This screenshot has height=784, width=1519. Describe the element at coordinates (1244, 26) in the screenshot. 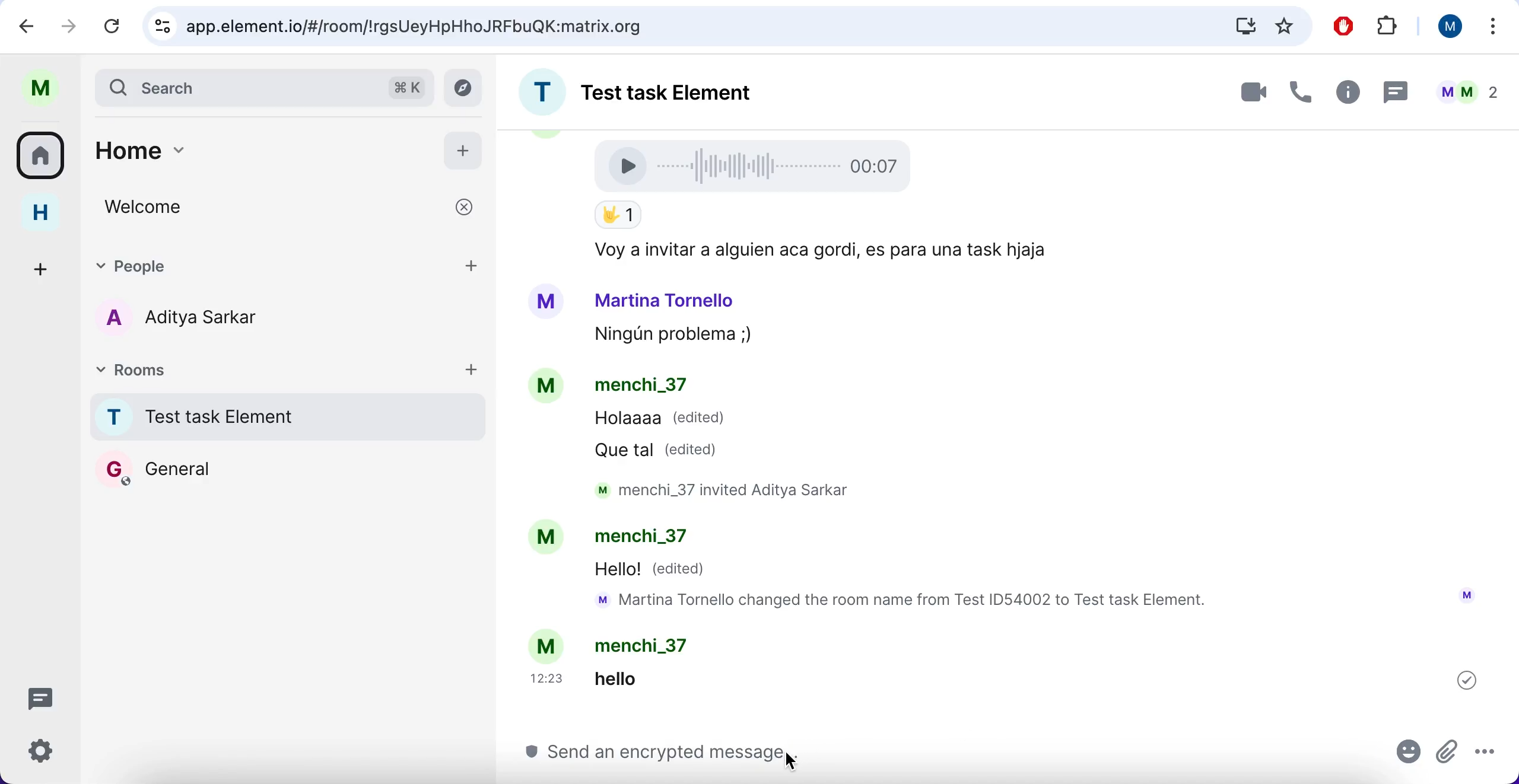

I see `downloads` at that location.